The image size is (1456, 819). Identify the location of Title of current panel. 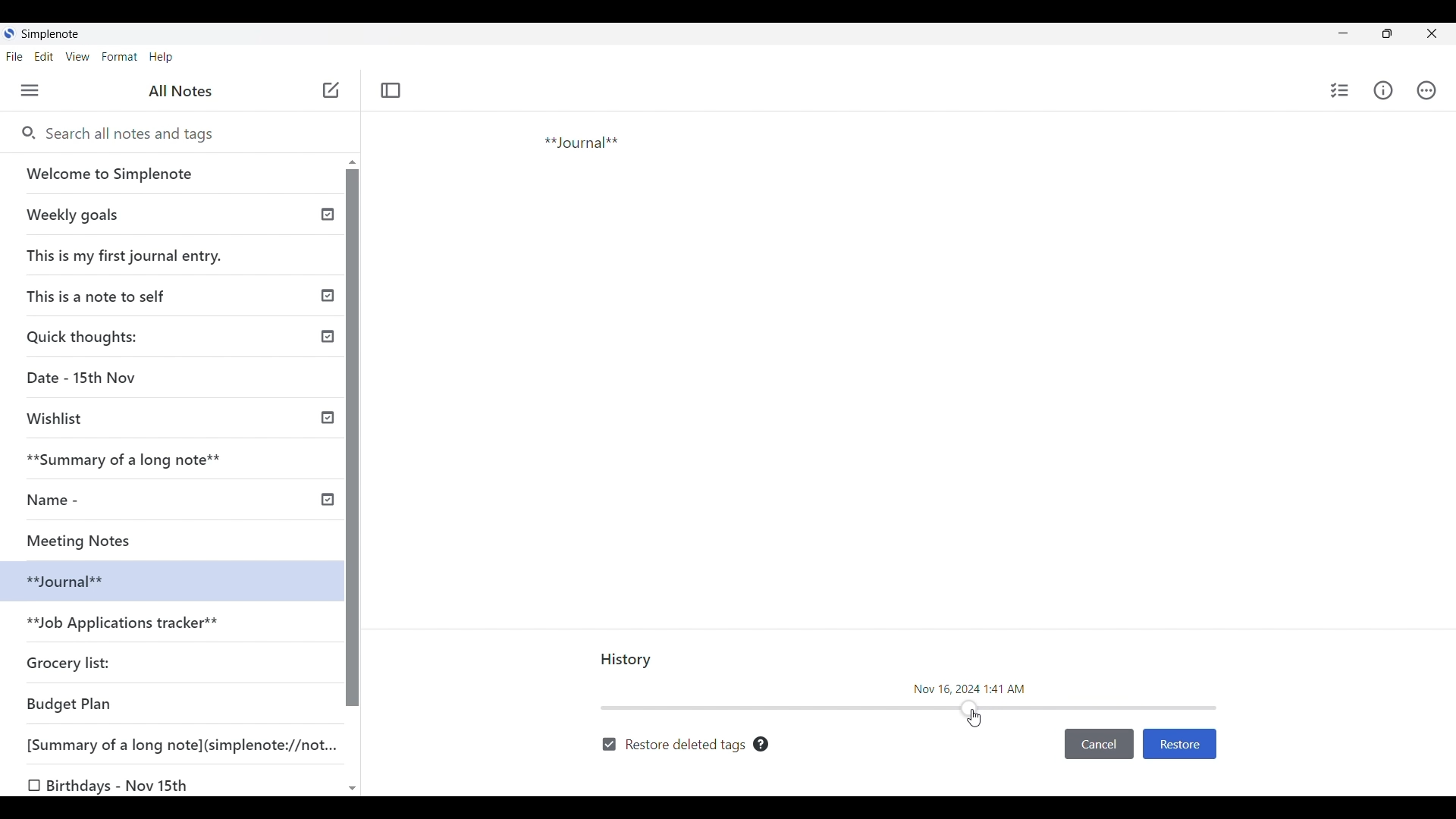
(627, 661).